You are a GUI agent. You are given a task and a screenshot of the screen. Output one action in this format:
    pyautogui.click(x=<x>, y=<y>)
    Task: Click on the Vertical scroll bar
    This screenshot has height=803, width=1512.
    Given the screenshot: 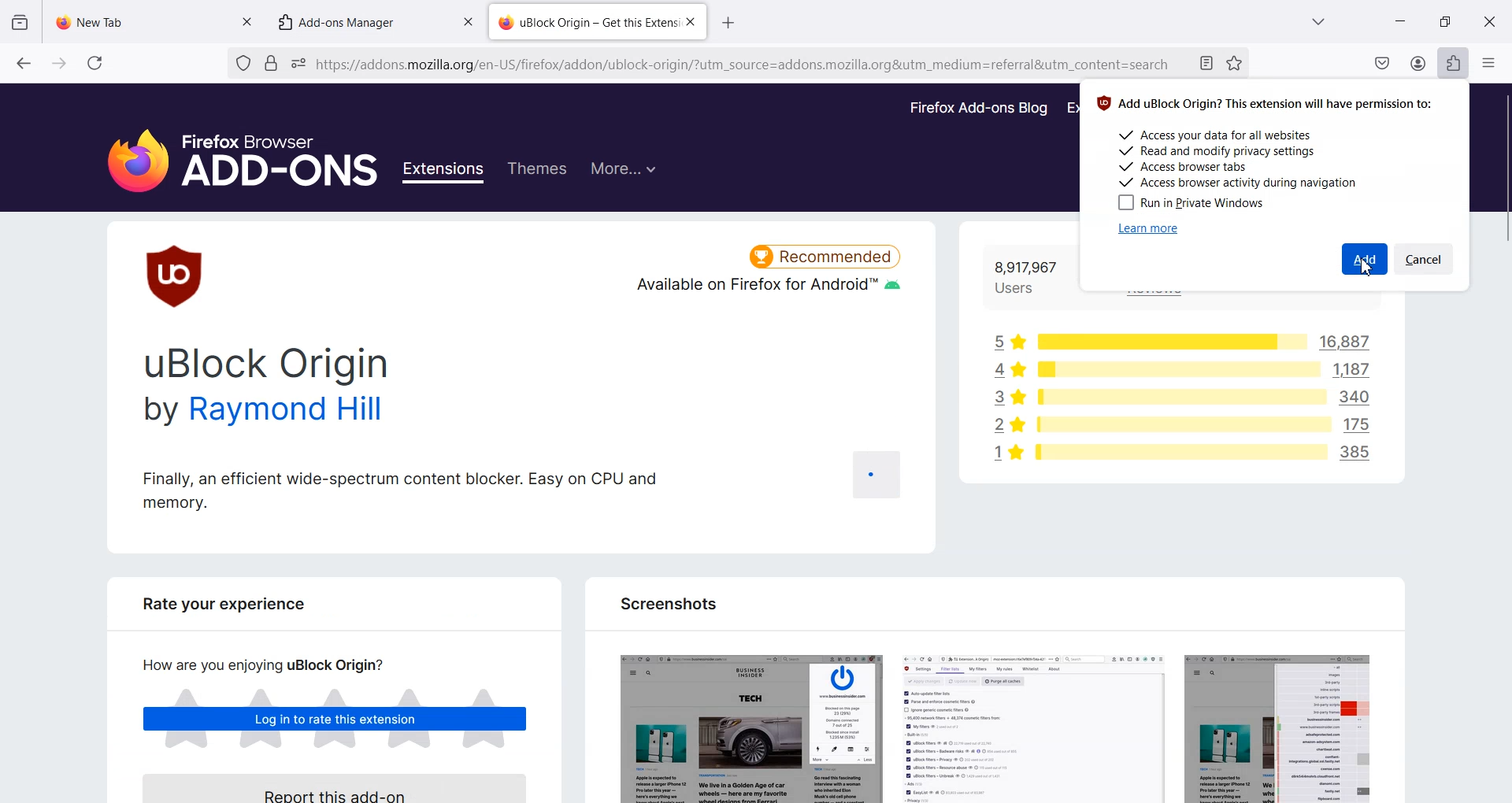 What is the action you would take?
    pyautogui.click(x=1503, y=442)
    